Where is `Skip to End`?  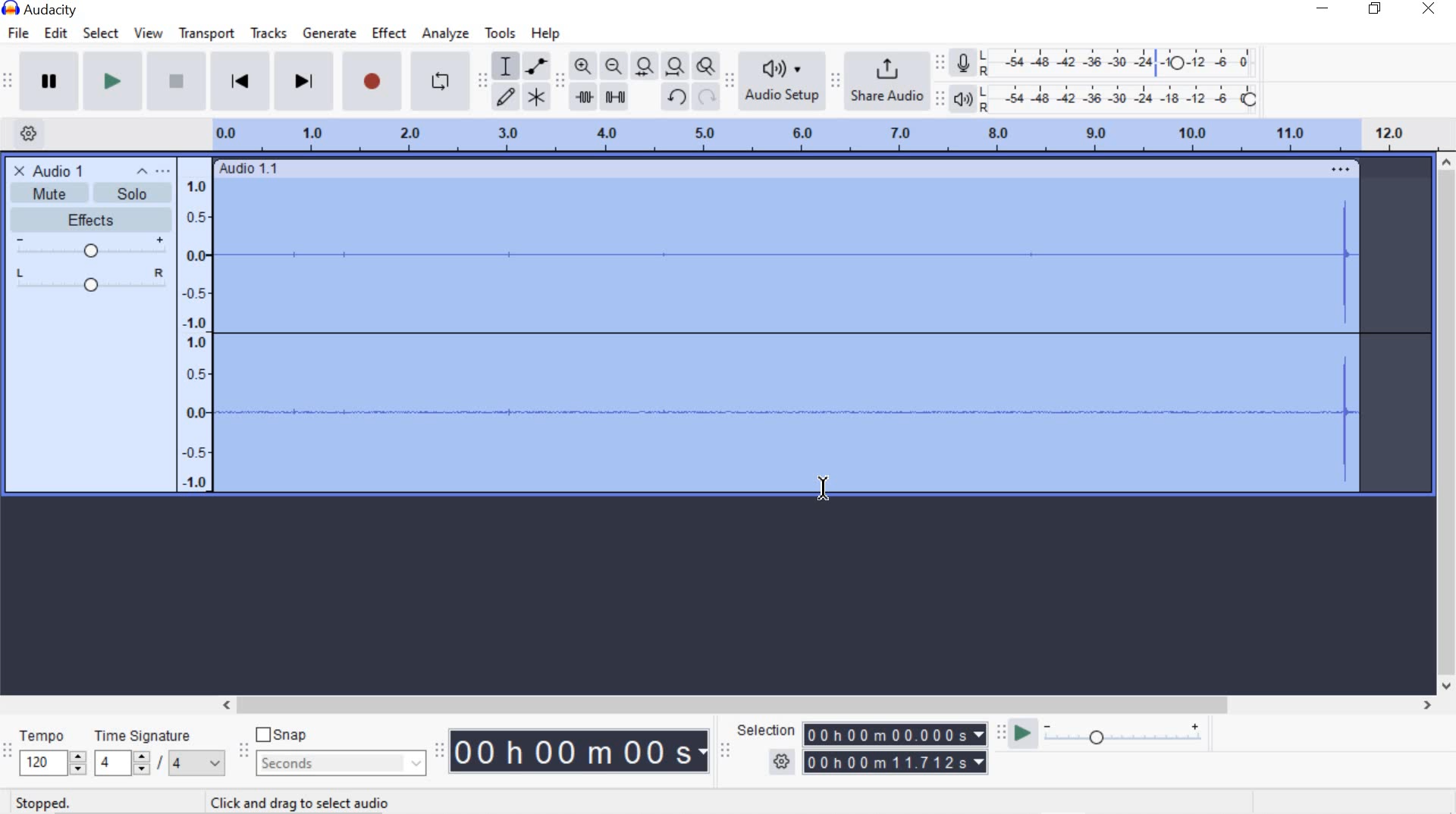
Skip to End is located at coordinates (306, 83).